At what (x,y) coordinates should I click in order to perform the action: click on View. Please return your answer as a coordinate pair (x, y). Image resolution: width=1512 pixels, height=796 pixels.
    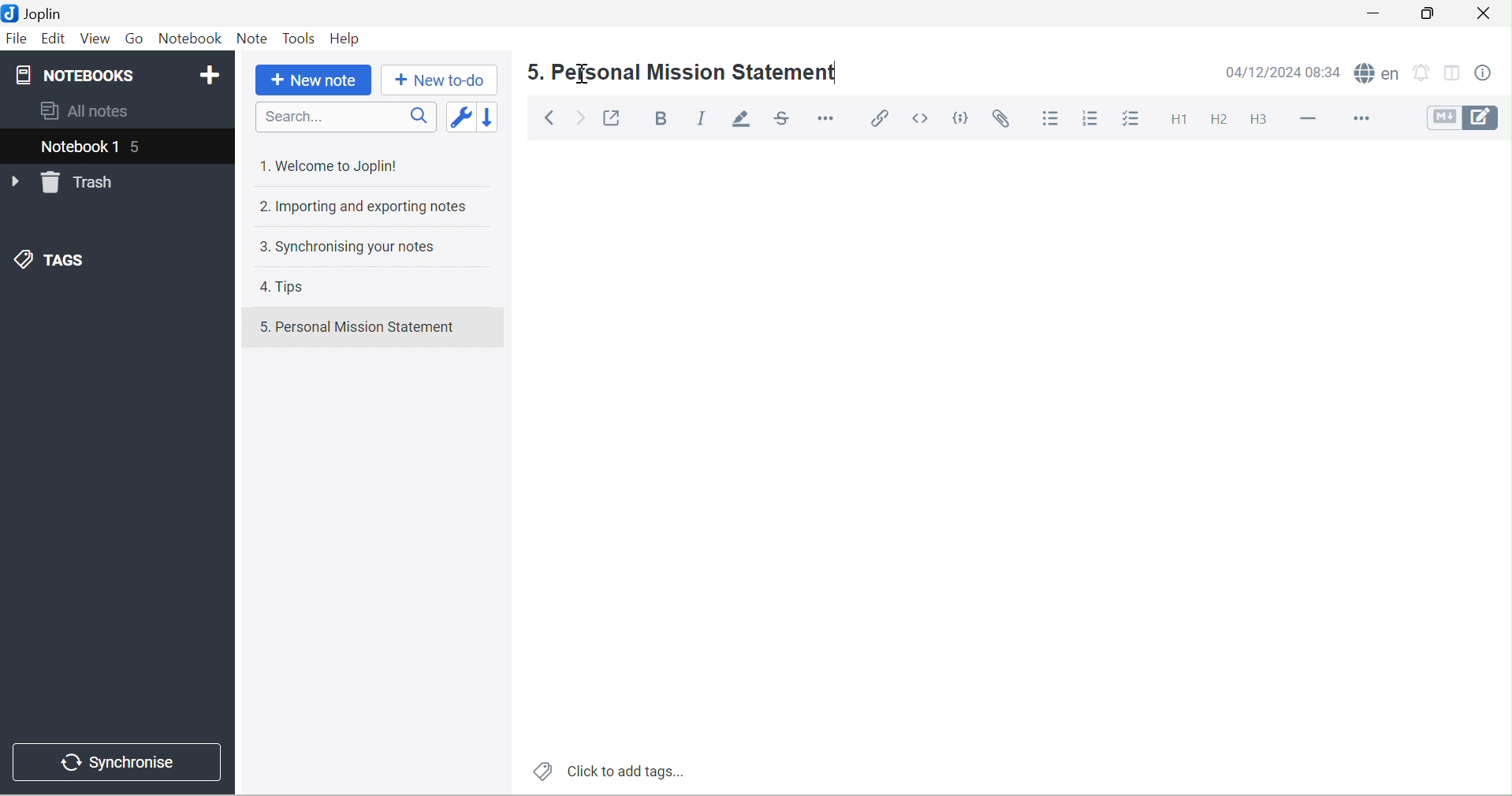
    Looking at the image, I should click on (97, 38).